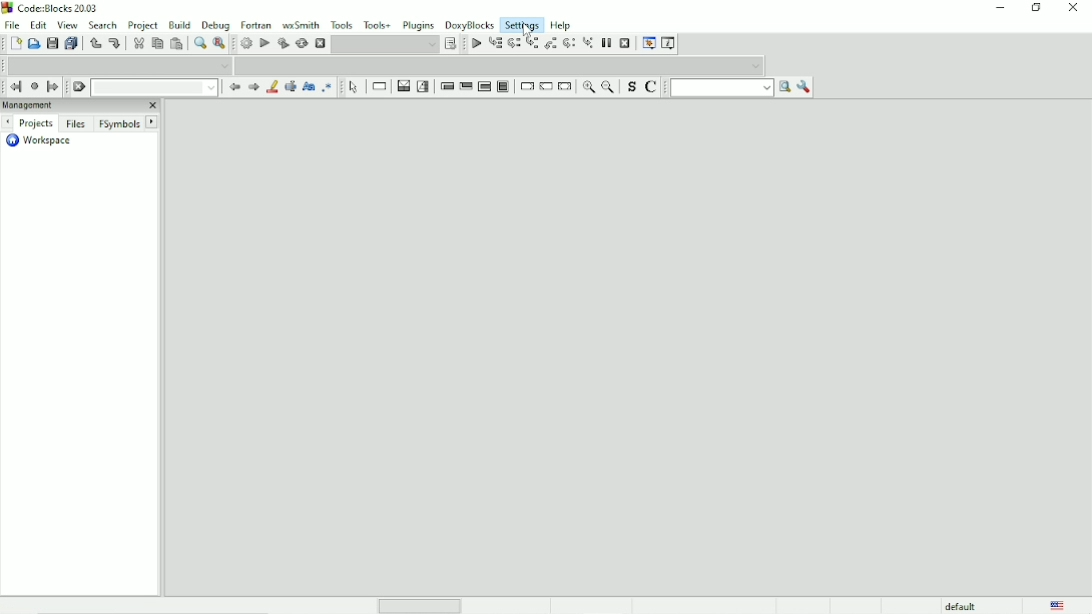  Describe the element at coordinates (1059, 605) in the screenshot. I see `Language` at that location.